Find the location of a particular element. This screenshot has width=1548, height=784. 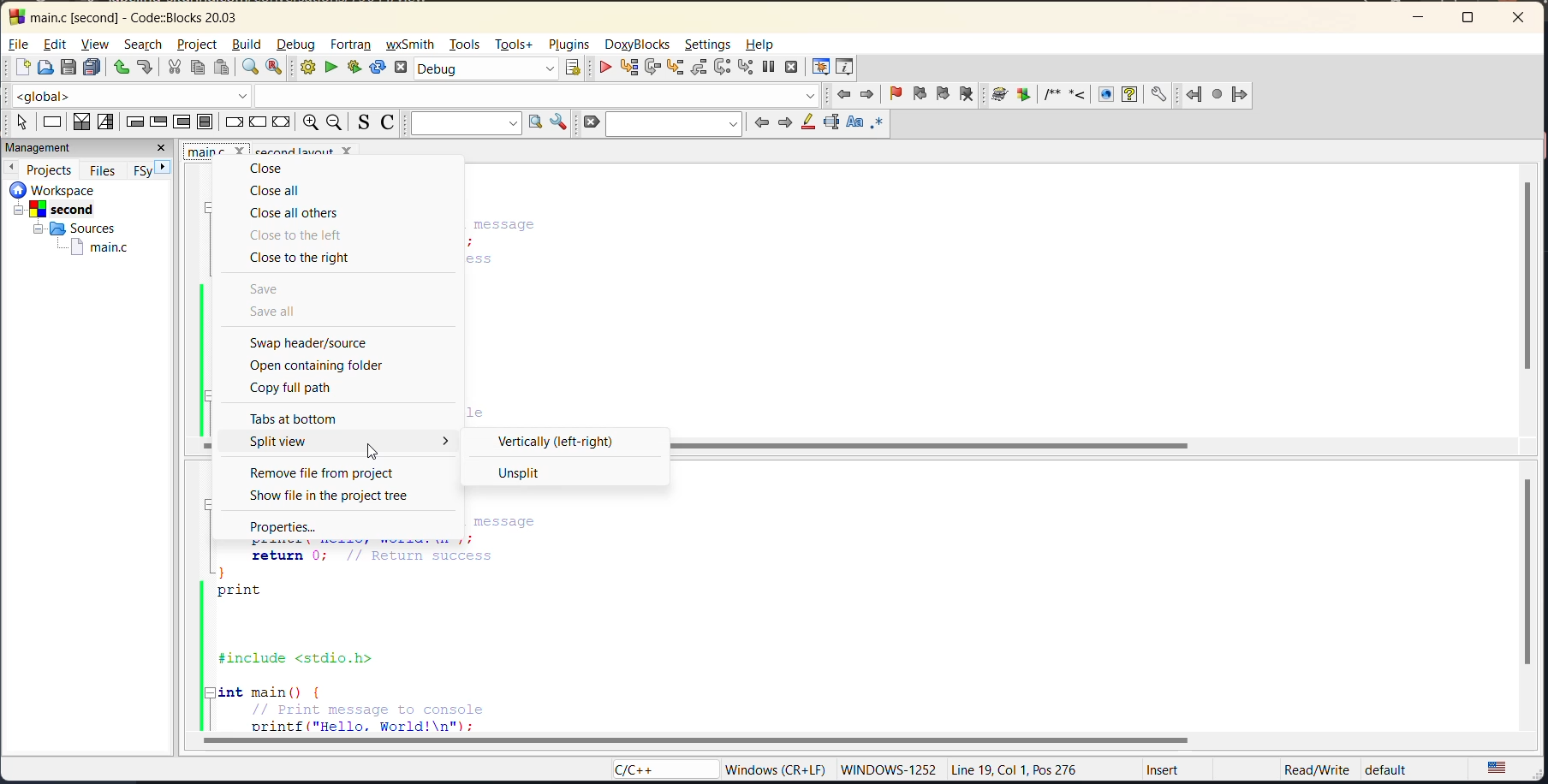

‘Windows (CR+LF) WINDOWS-1252 is located at coordinates (829, 769).